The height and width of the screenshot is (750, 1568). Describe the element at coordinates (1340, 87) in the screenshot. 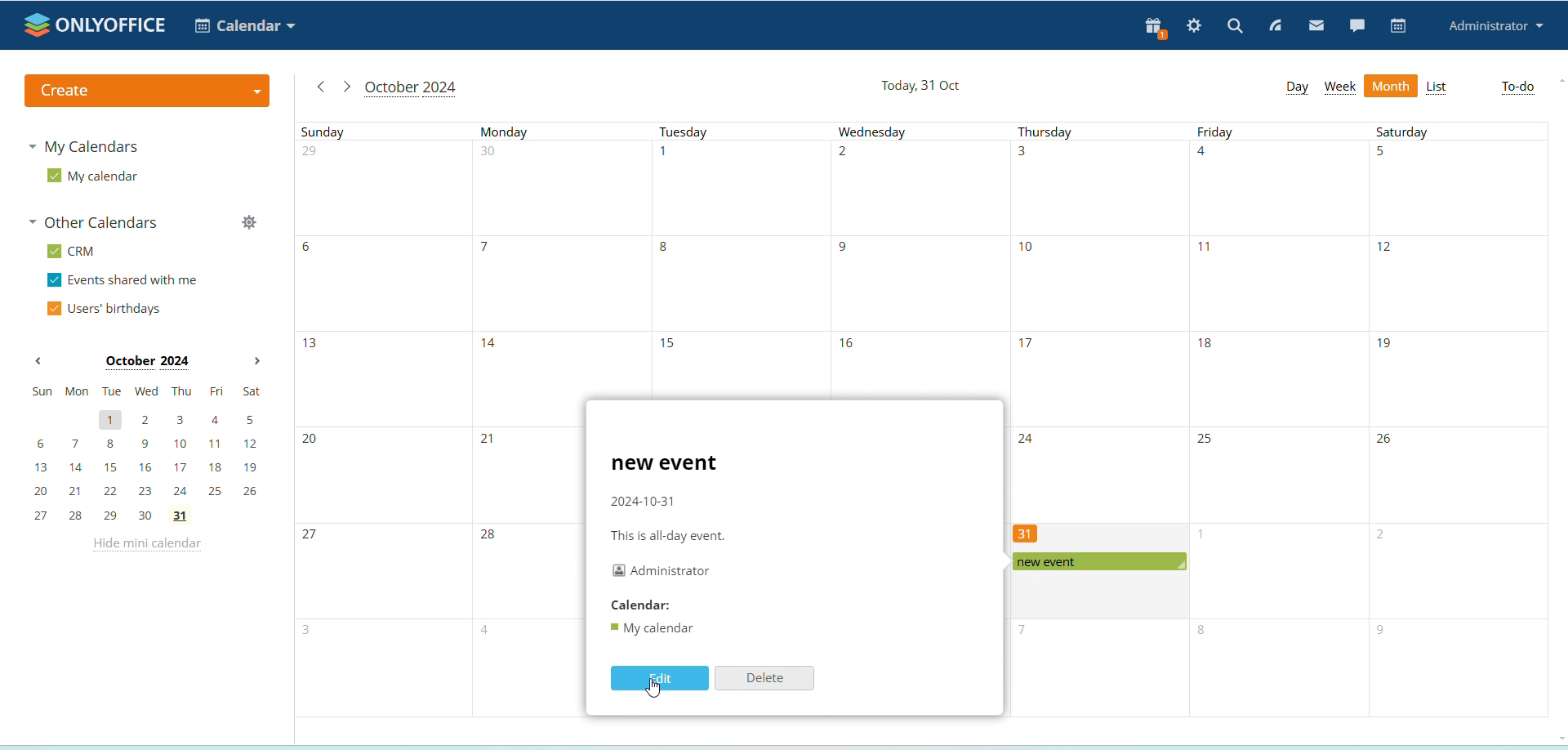

I see `week view` at that location.